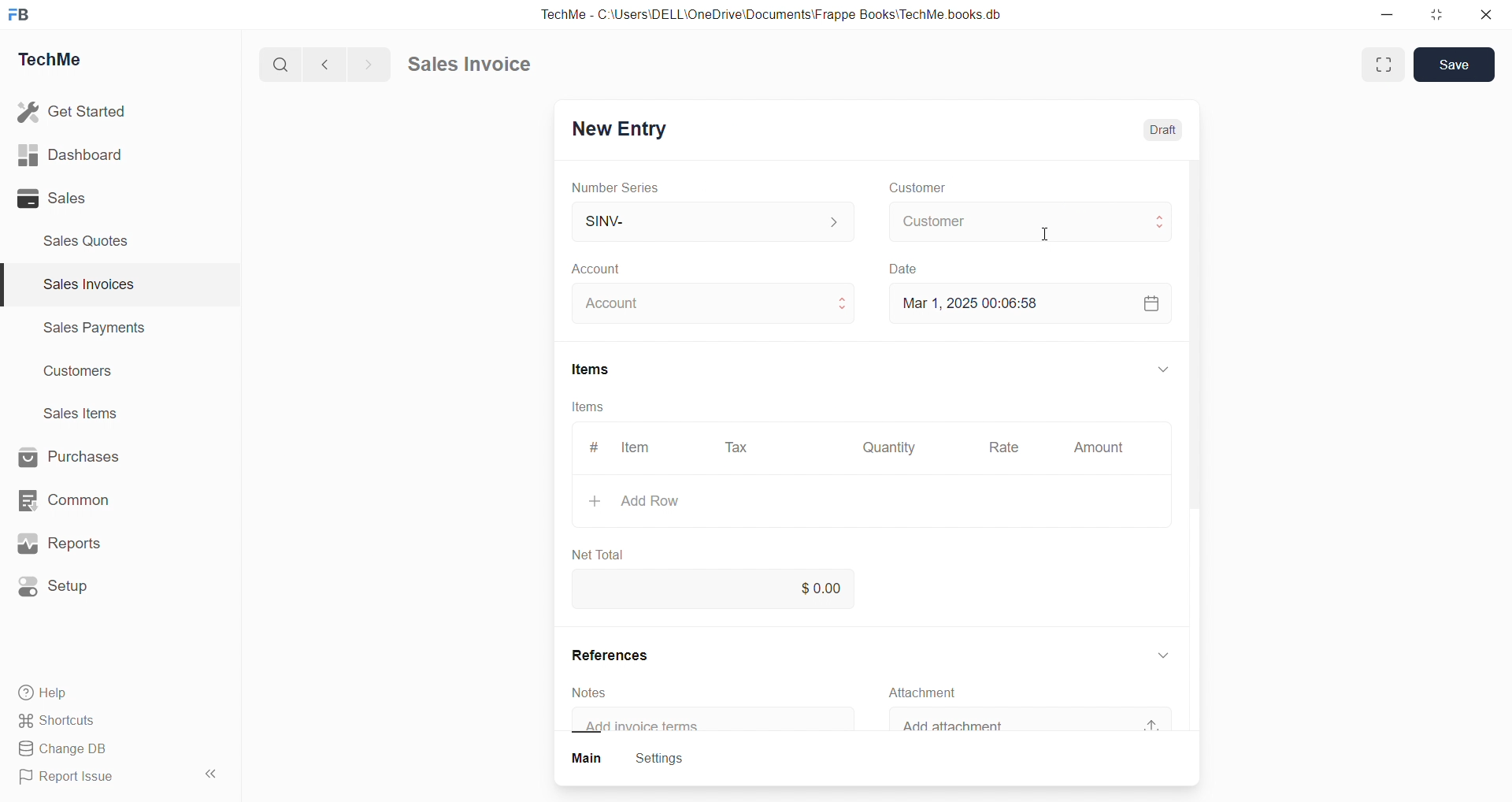 This screenshot has width=1512, height=802. Describe the element at coordinates (82, 287) in the screenshot. I see `Sales Invoices` at that location.